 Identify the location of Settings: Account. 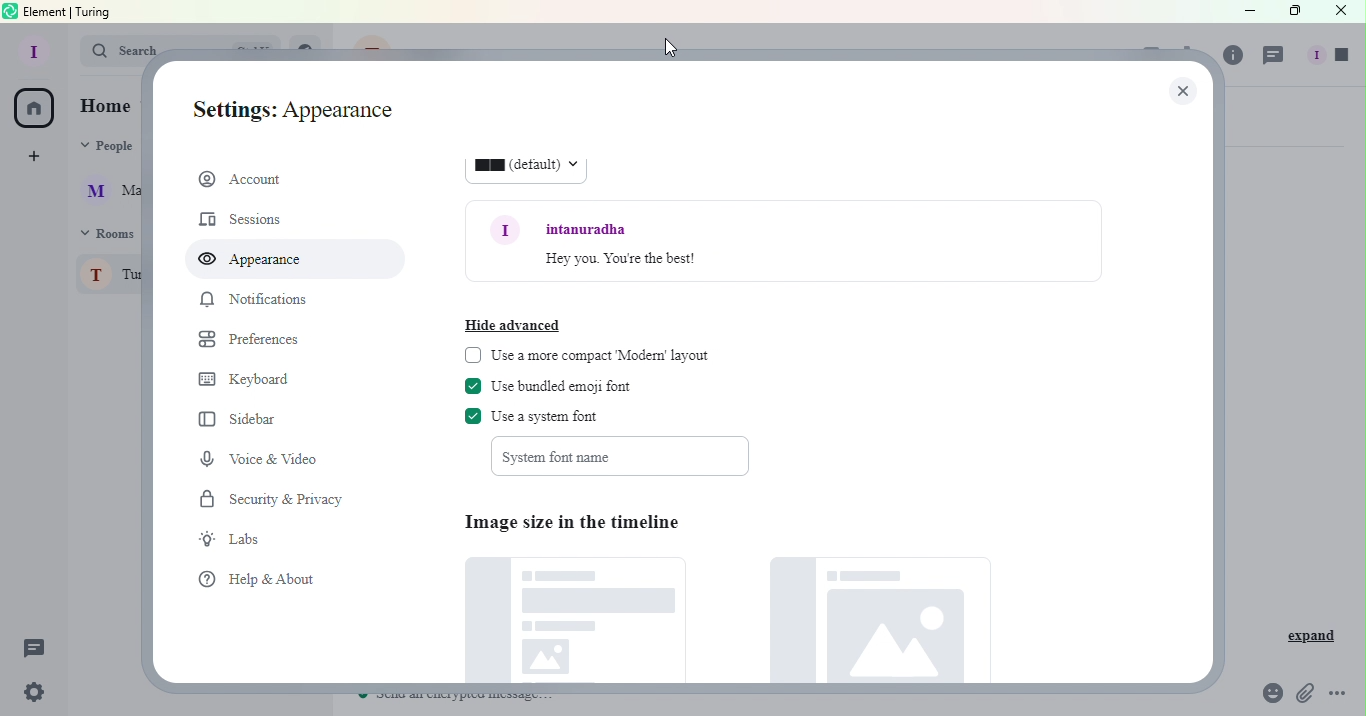
(317, 103).